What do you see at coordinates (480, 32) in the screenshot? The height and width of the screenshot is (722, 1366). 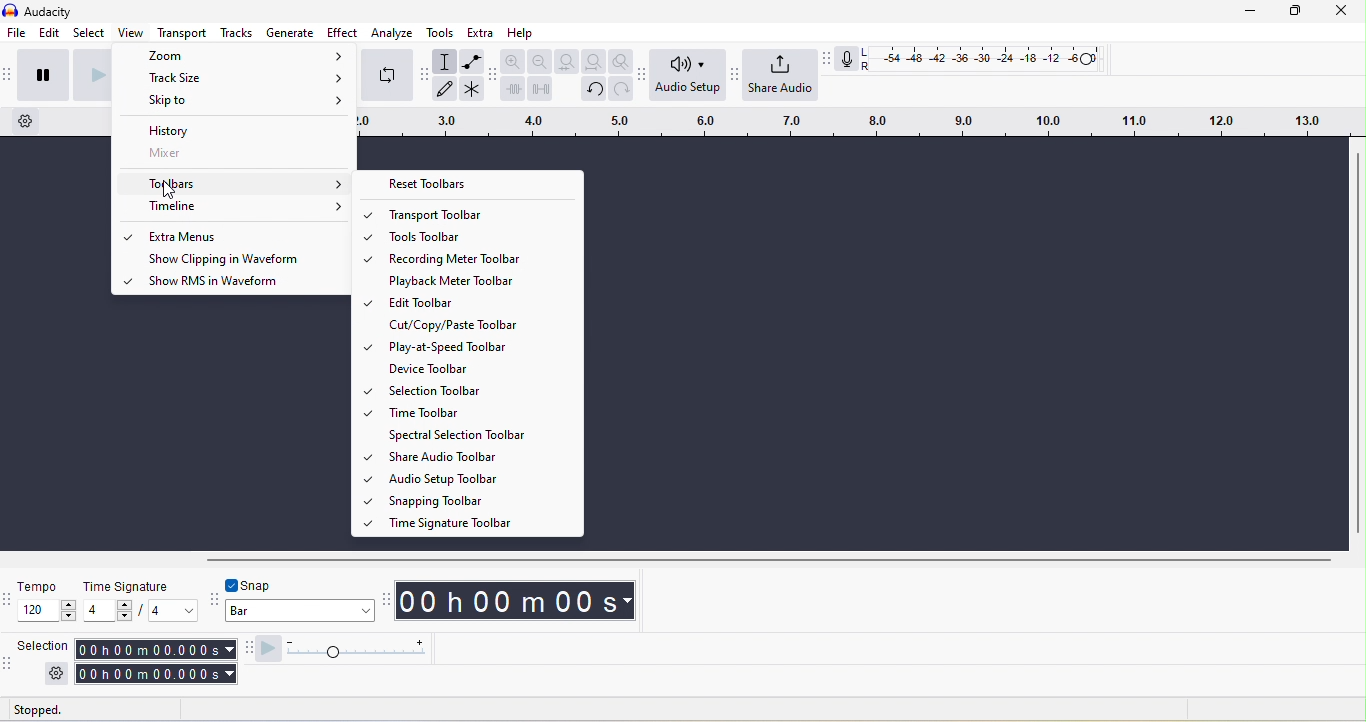 I see `extra` at bounding box center [480, 32].